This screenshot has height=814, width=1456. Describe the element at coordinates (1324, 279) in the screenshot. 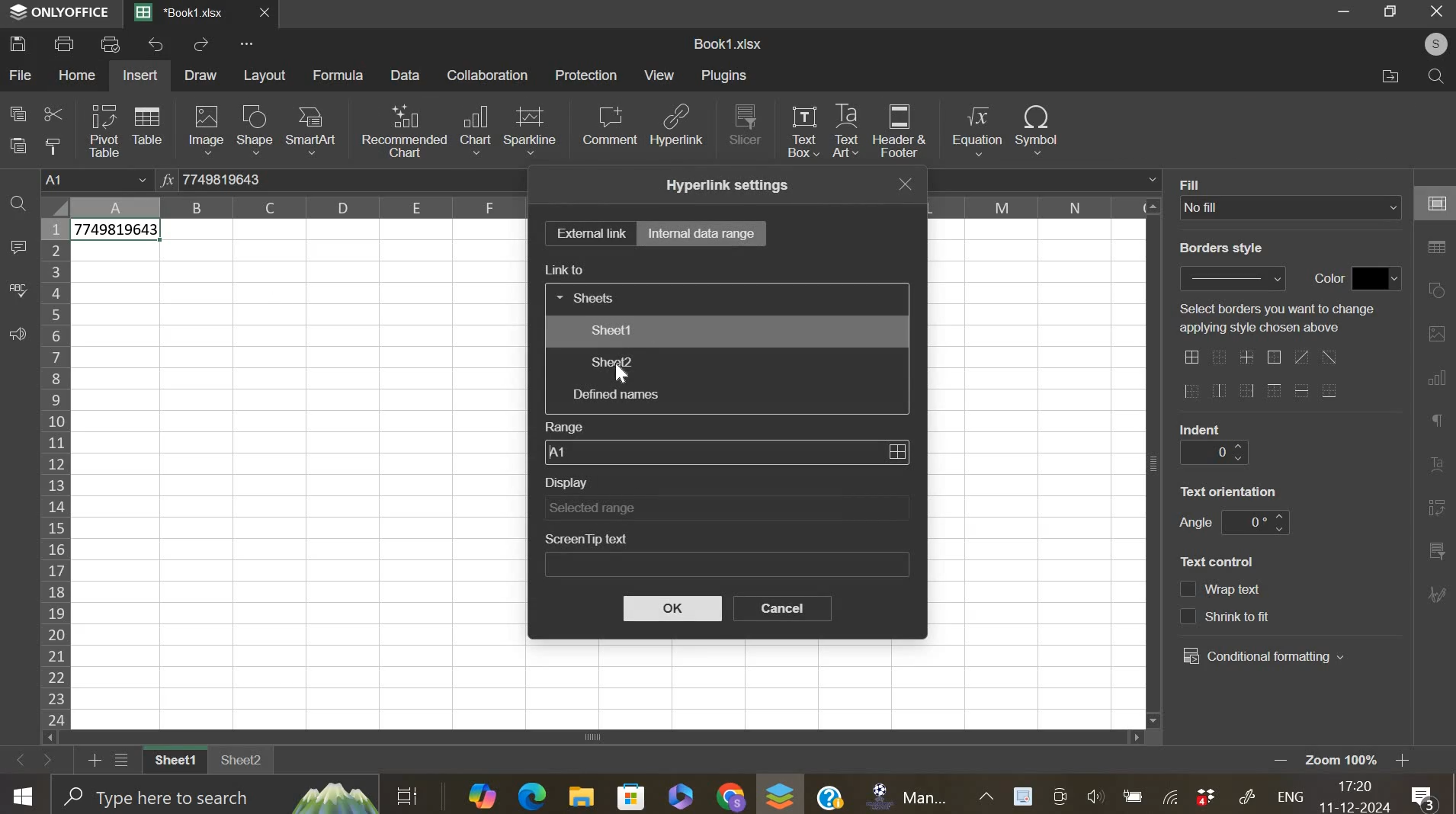

I see `text` at that location.